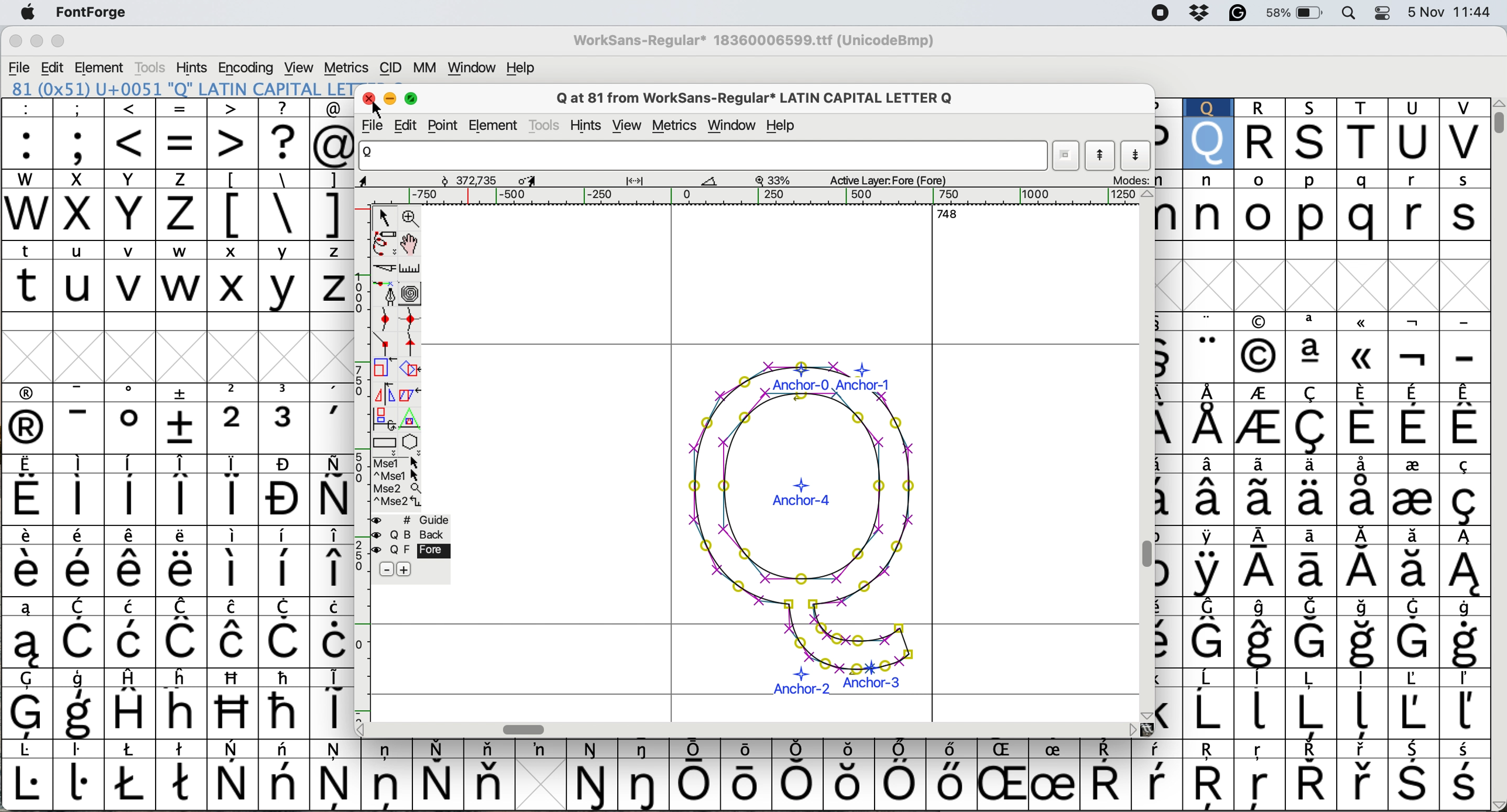 This screenshot has width=1507, height=812. Describe the element at coordinates (718, 197) in the screenshot. I see `horizontal scroll bar` at that location.